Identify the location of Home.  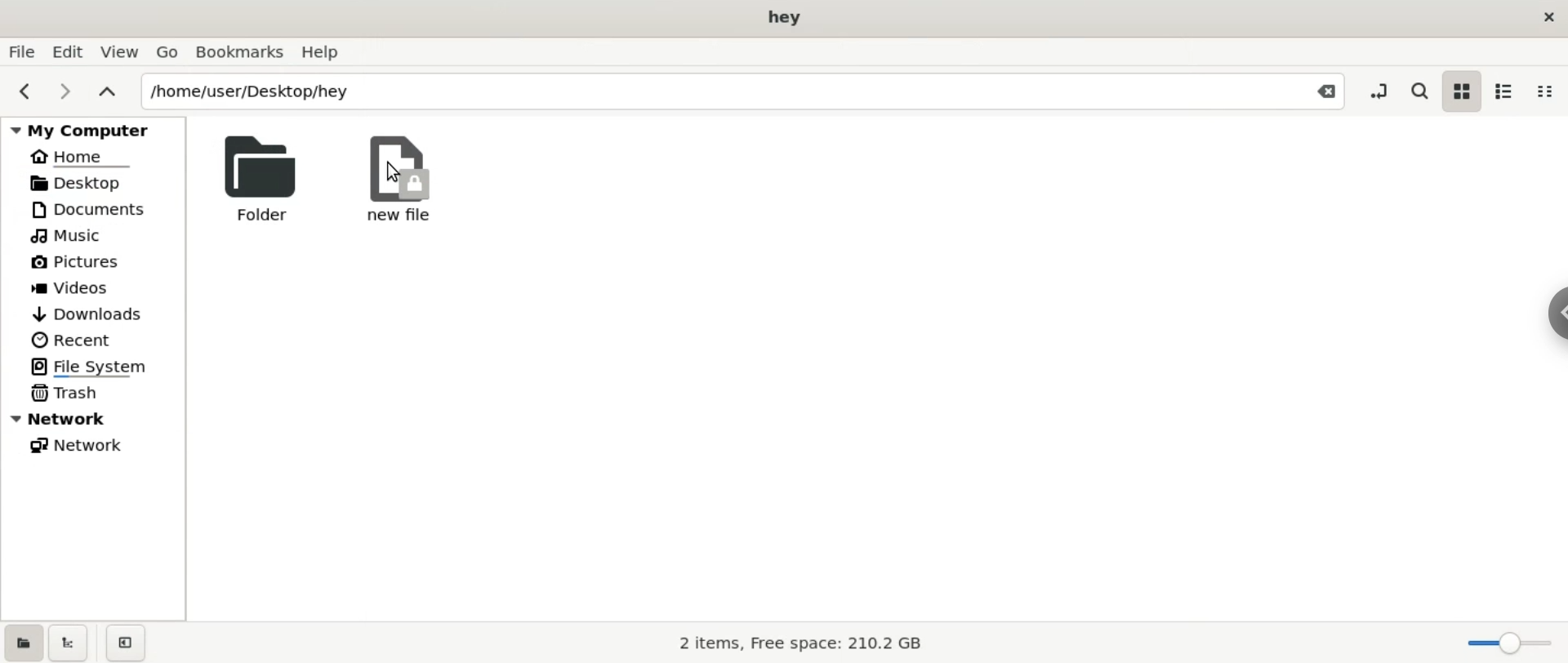
(83, 158).